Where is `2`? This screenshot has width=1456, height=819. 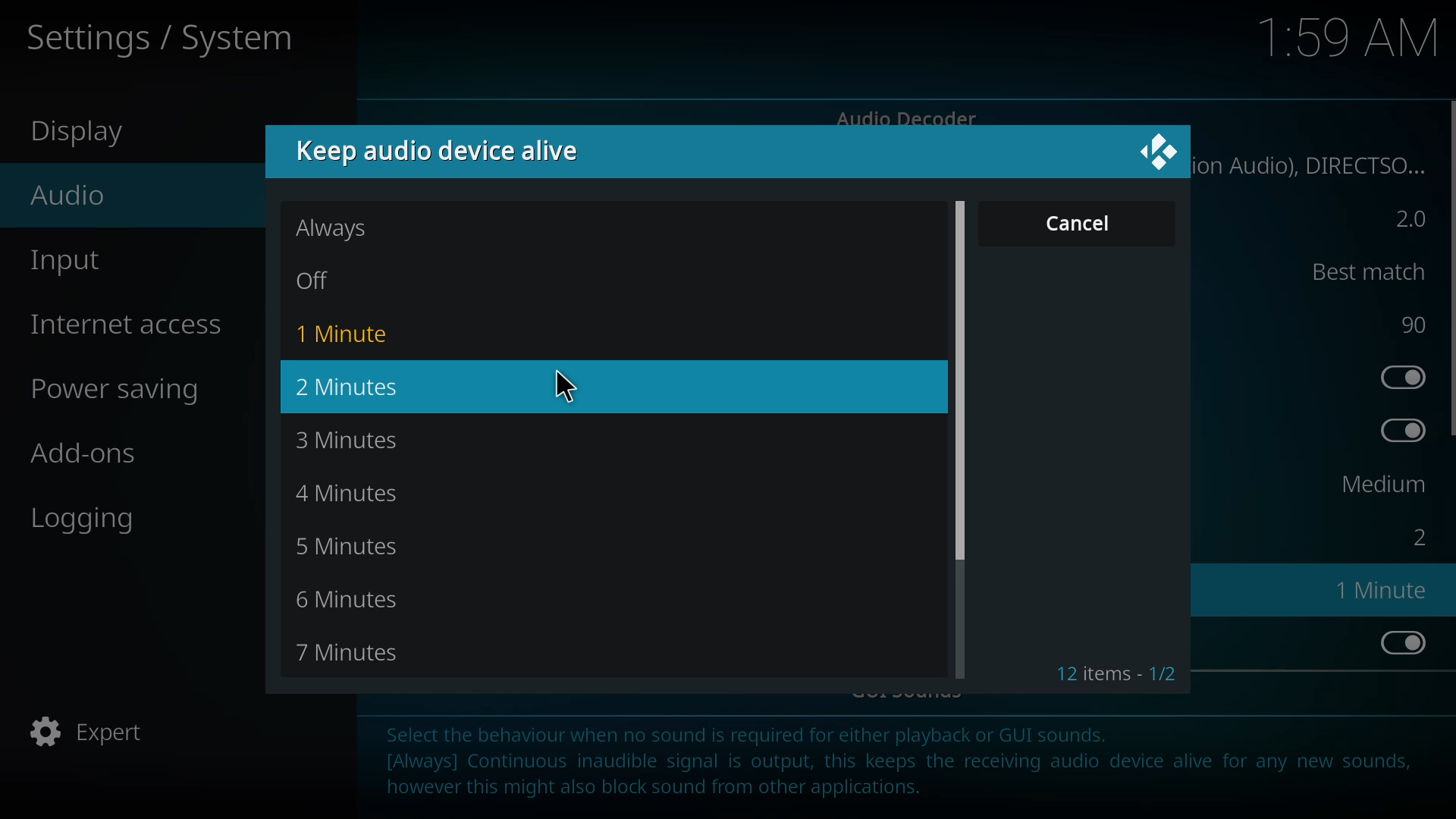
2 is located at coordinates (1414, 536).